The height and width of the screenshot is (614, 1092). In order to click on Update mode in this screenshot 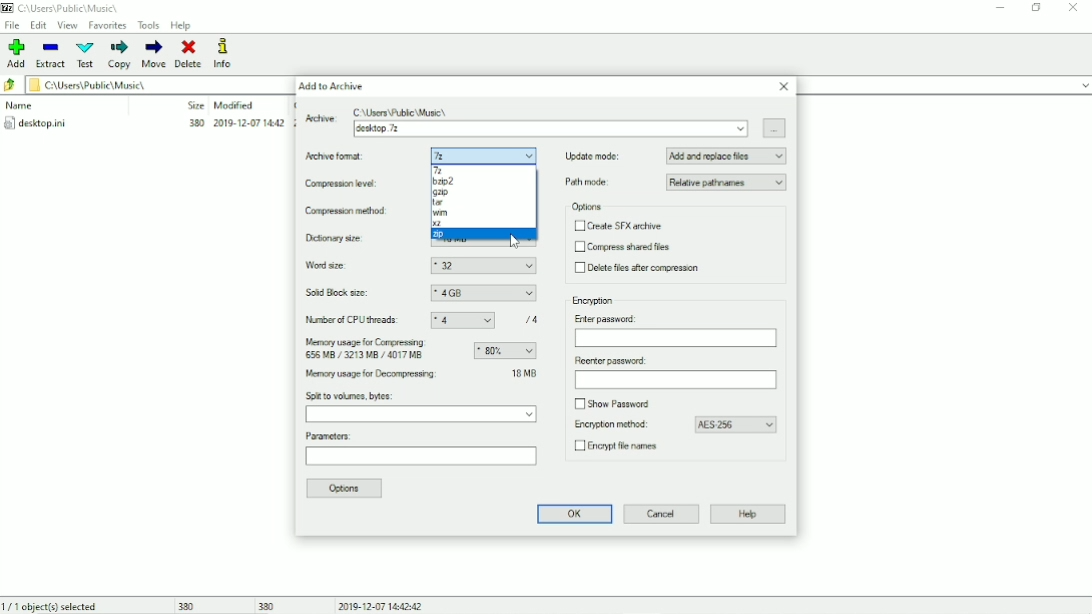, I will do `click(676, 155)`.